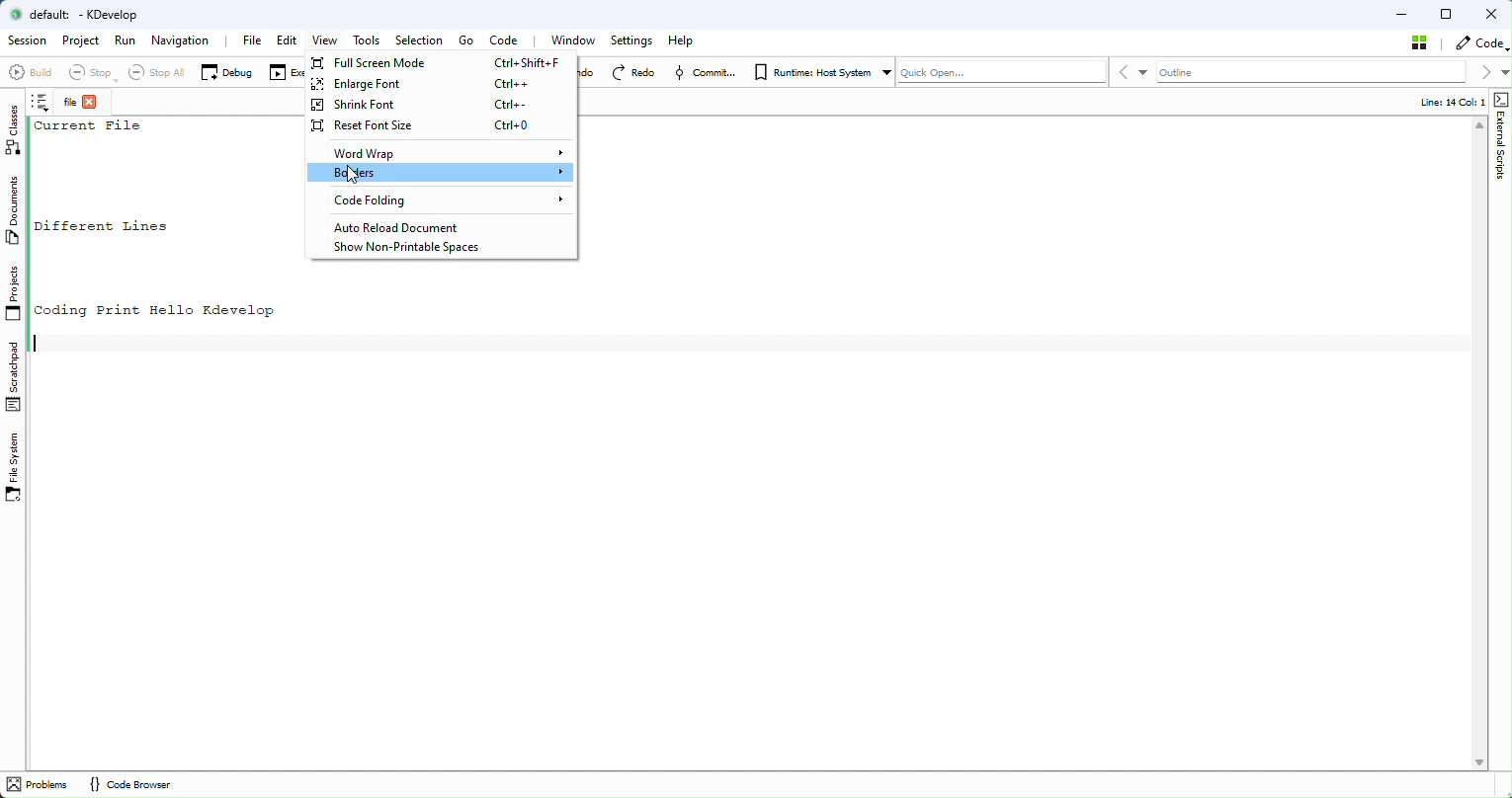  I want to click on Code, so click(510, 40).